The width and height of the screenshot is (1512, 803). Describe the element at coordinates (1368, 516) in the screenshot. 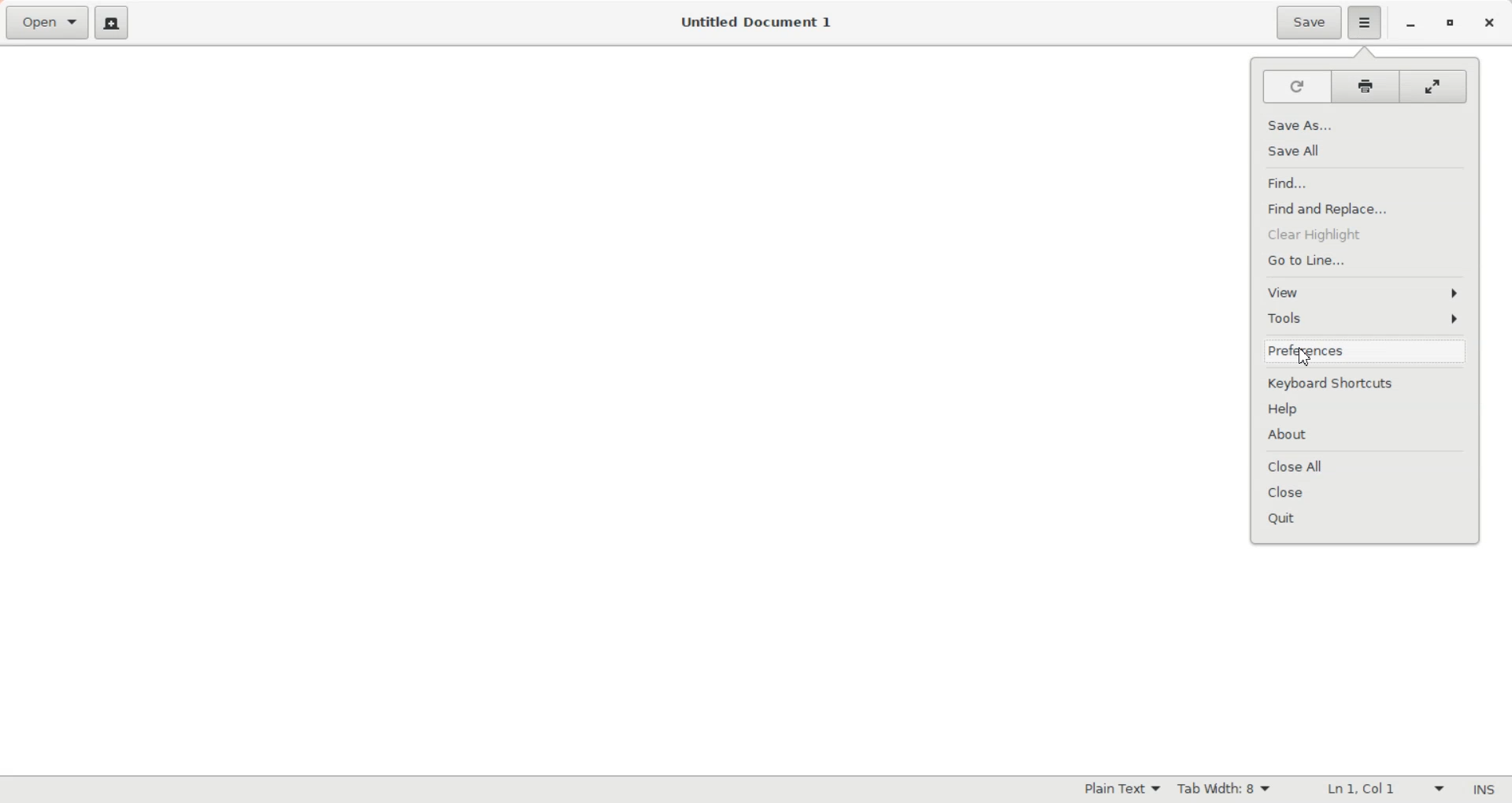

I see `Quit` at that location.